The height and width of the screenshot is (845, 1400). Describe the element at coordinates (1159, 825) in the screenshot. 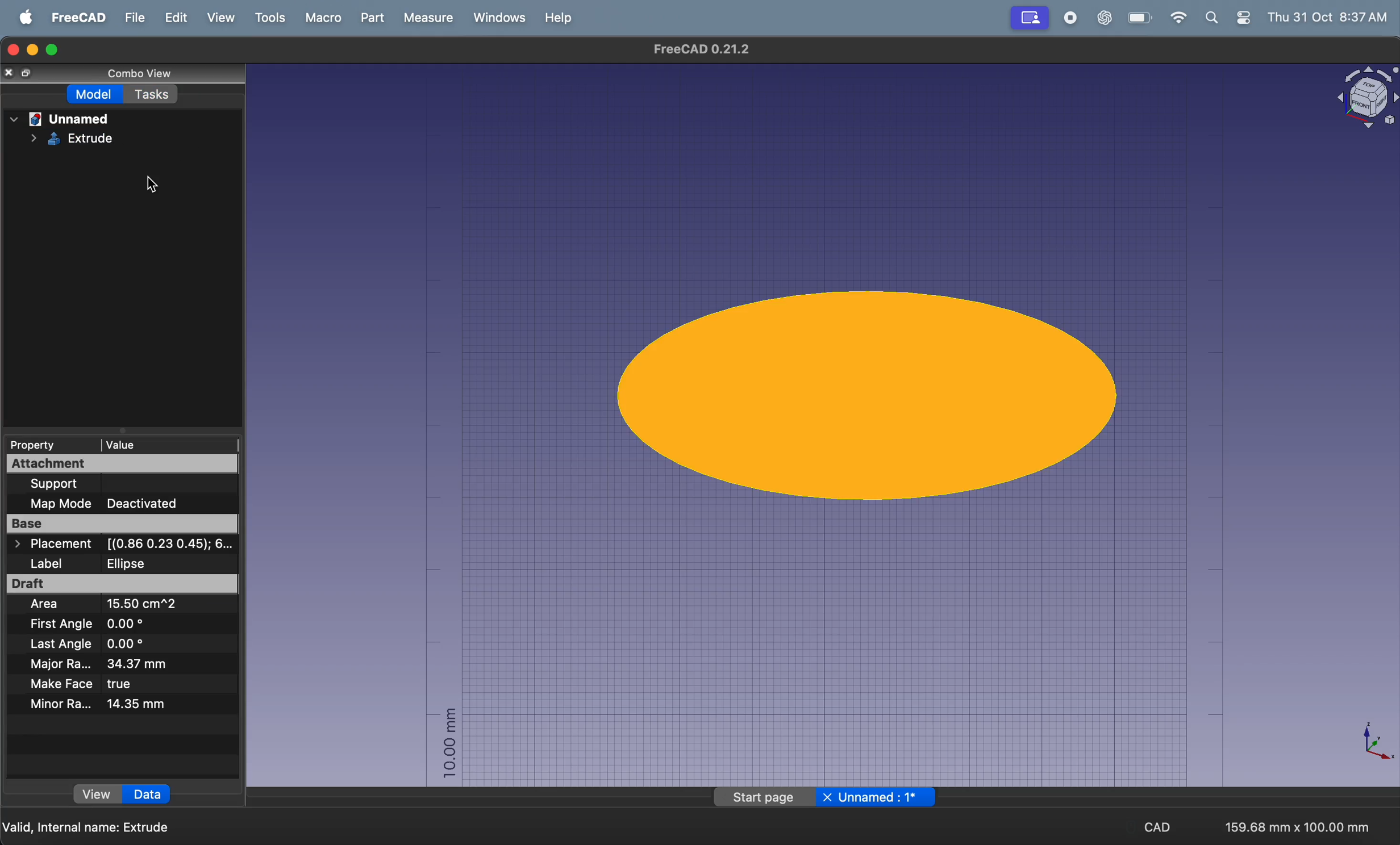

I see `cad` at that location.